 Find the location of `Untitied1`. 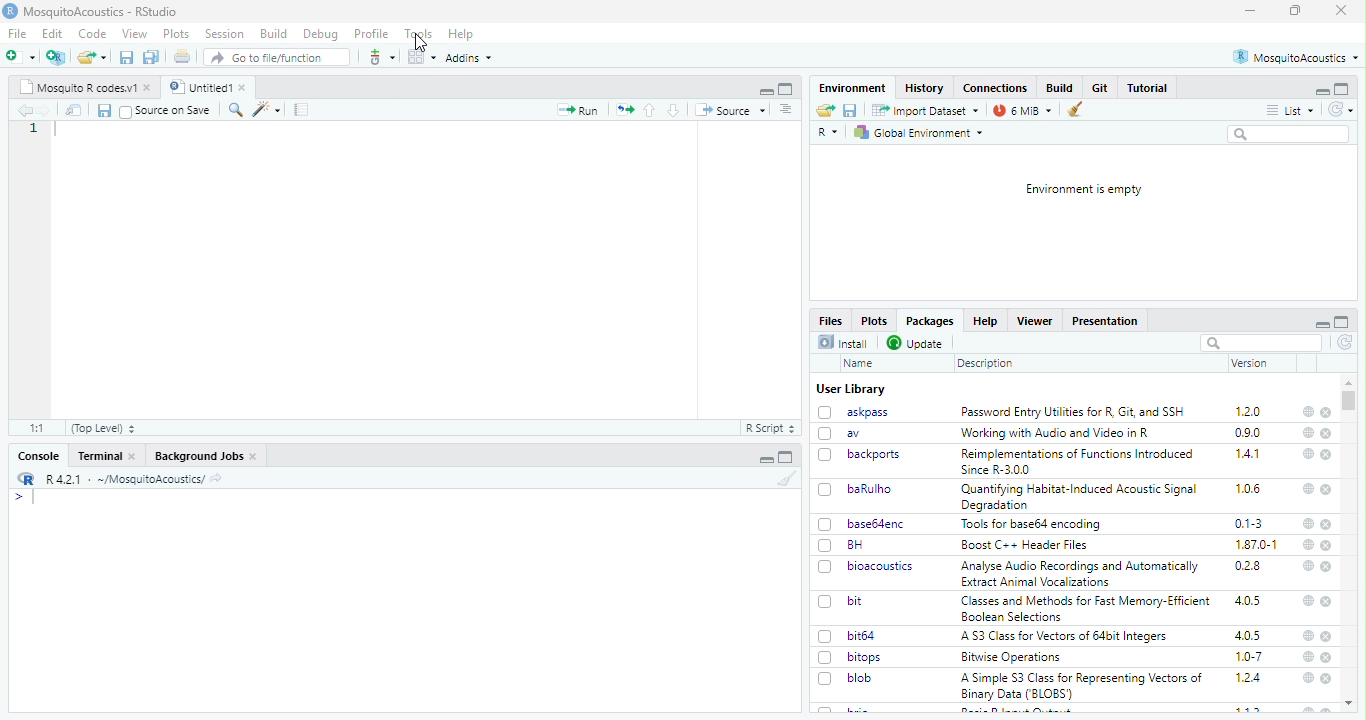

Untitied1 is located at coordinates (198, 87).